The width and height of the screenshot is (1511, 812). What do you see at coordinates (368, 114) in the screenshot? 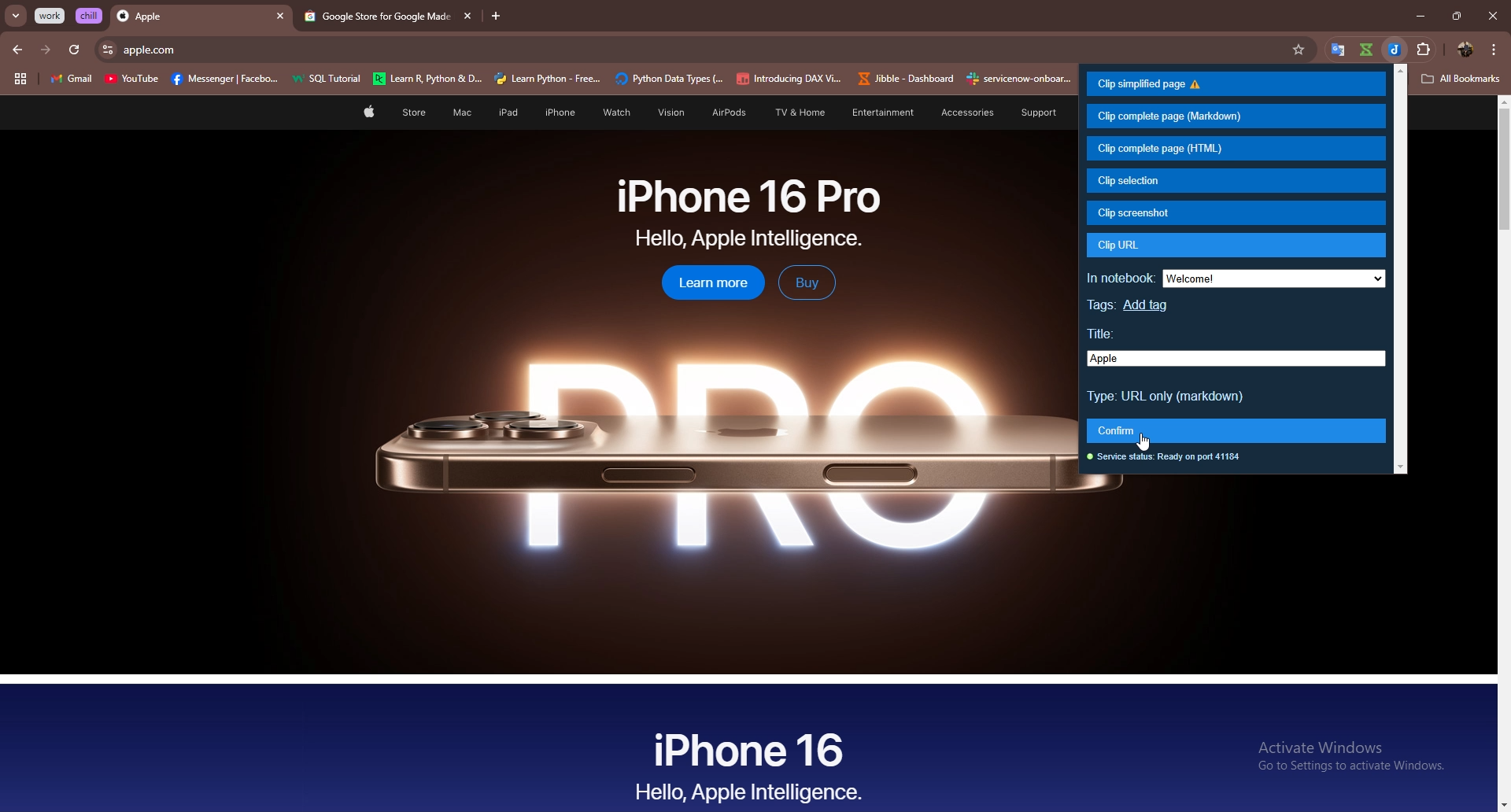
I see `Apple page` at bounding box center [368, 114].